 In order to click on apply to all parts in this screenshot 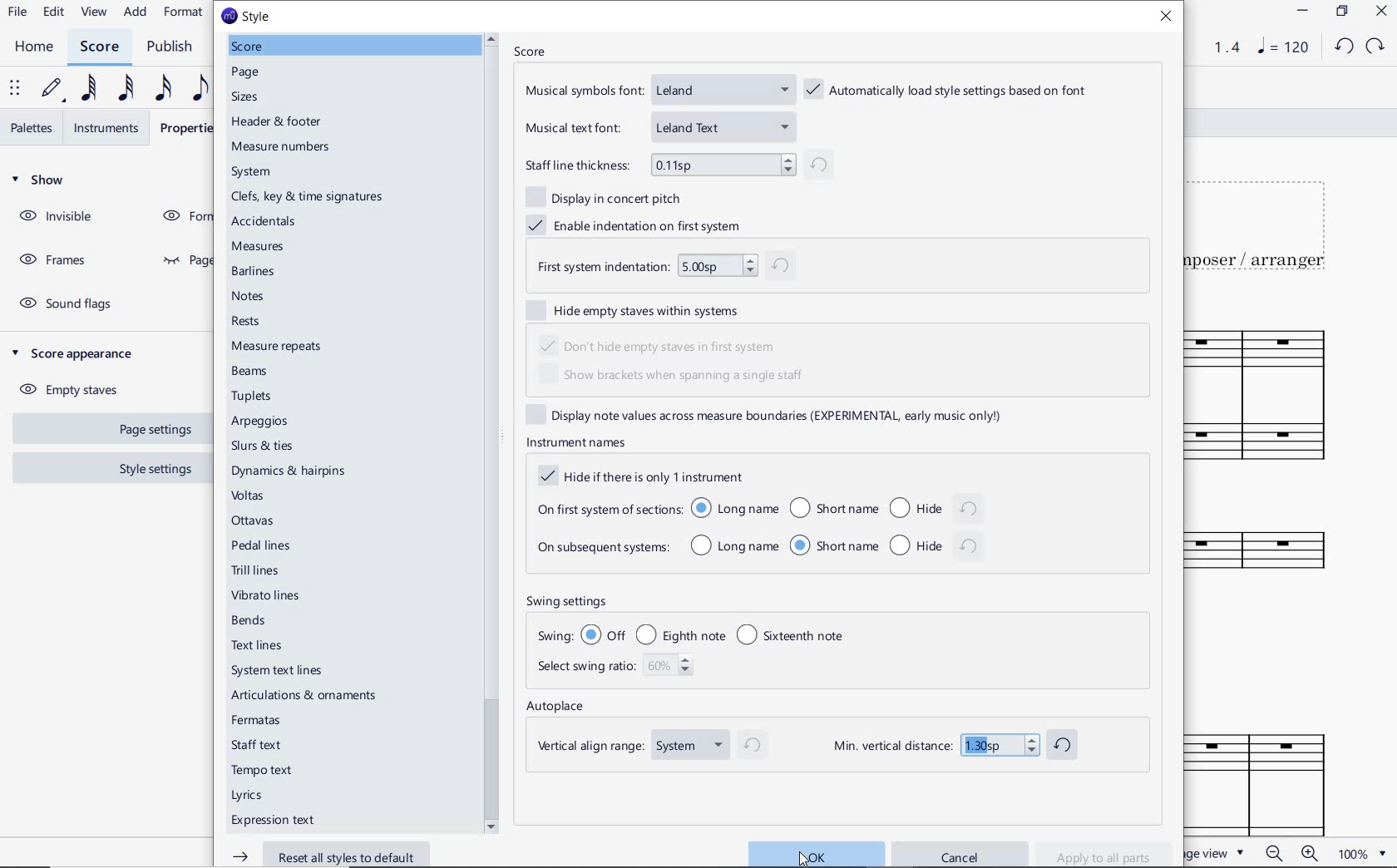, I will do `click(1110, 855)`.